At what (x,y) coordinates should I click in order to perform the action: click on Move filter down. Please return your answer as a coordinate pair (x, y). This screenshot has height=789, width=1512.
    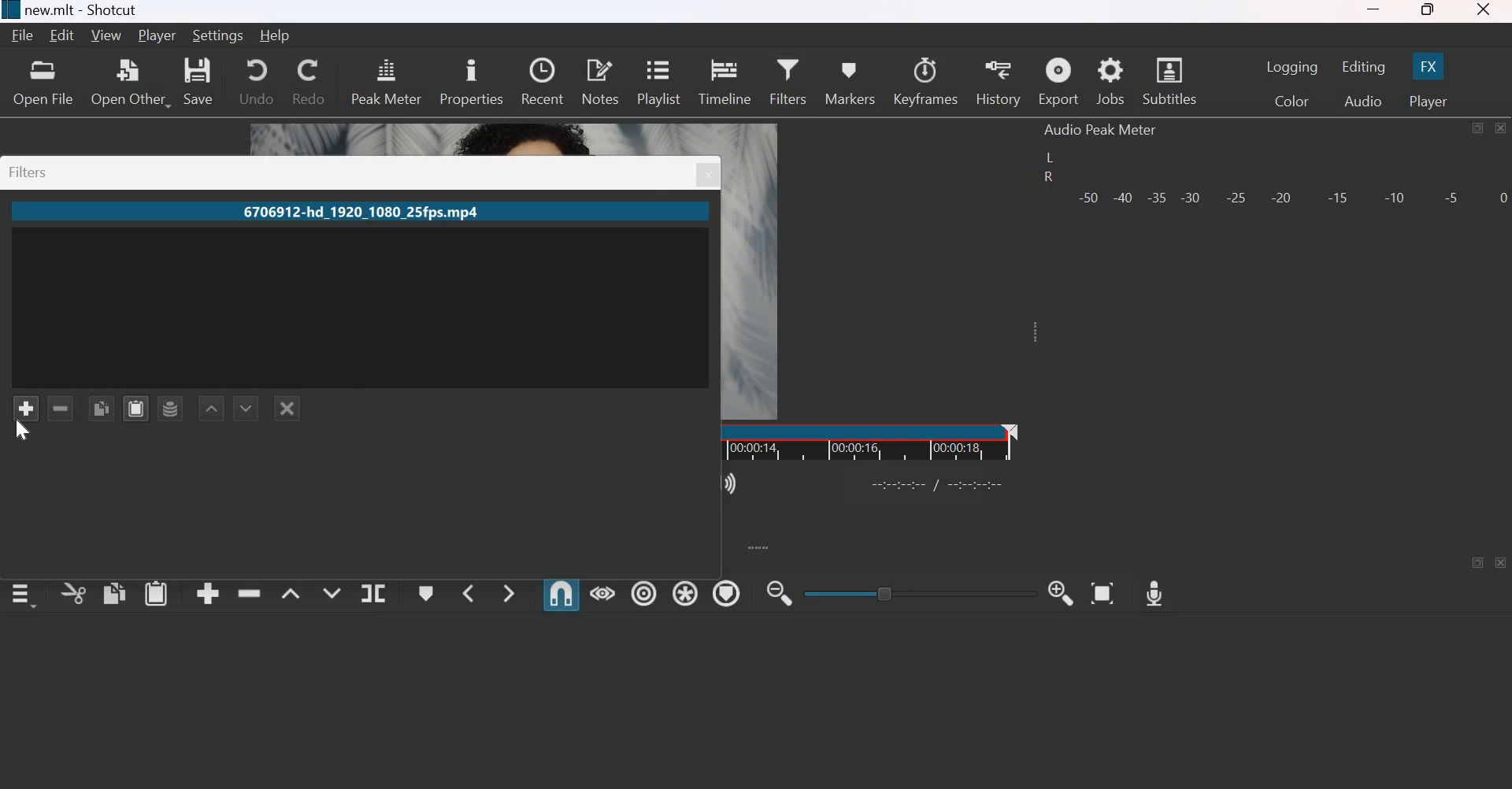
    Looking at the image, I should click on (246, 406).